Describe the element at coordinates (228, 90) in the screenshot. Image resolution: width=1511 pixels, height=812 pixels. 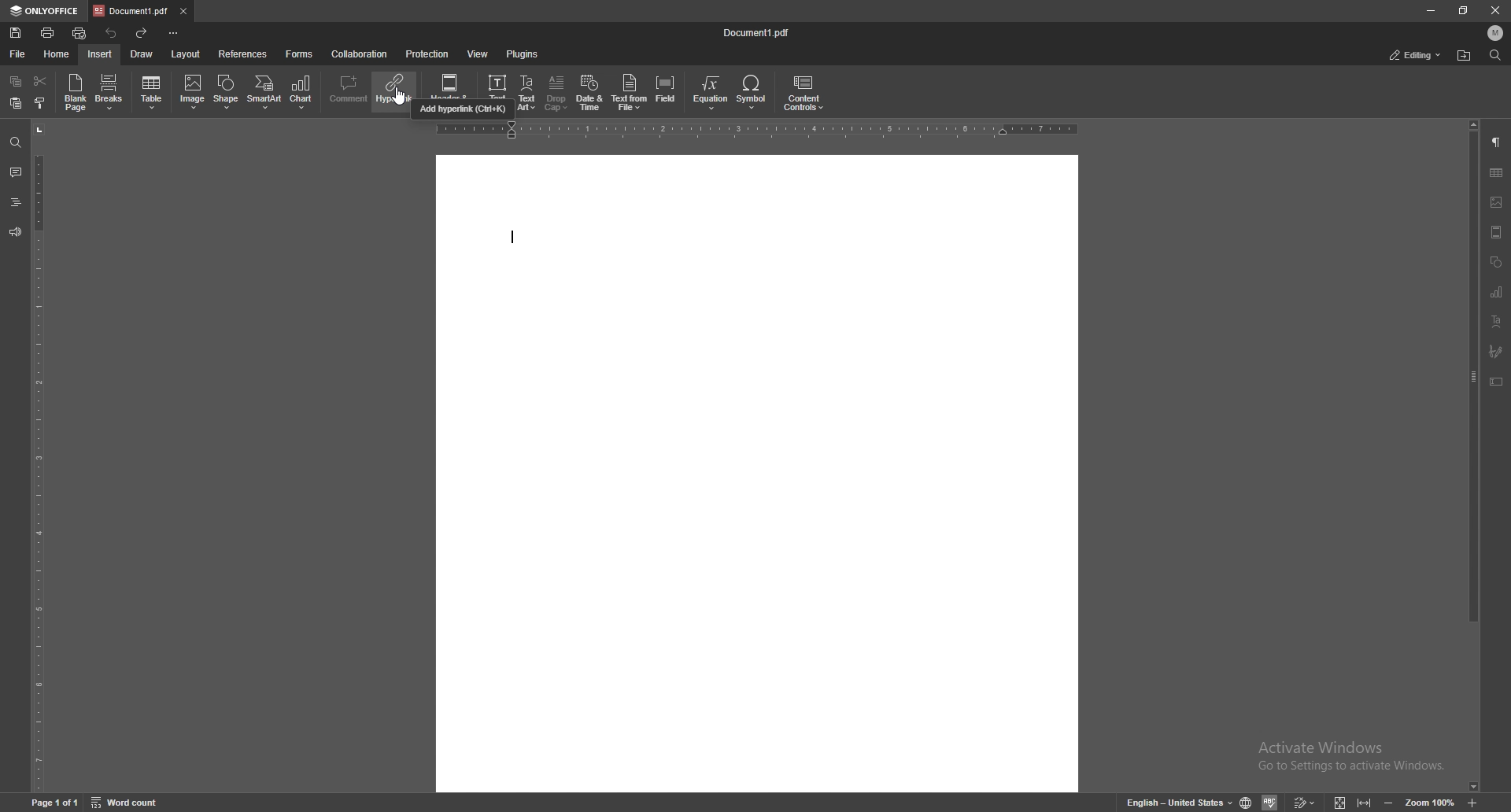
I see `shape` at that location.